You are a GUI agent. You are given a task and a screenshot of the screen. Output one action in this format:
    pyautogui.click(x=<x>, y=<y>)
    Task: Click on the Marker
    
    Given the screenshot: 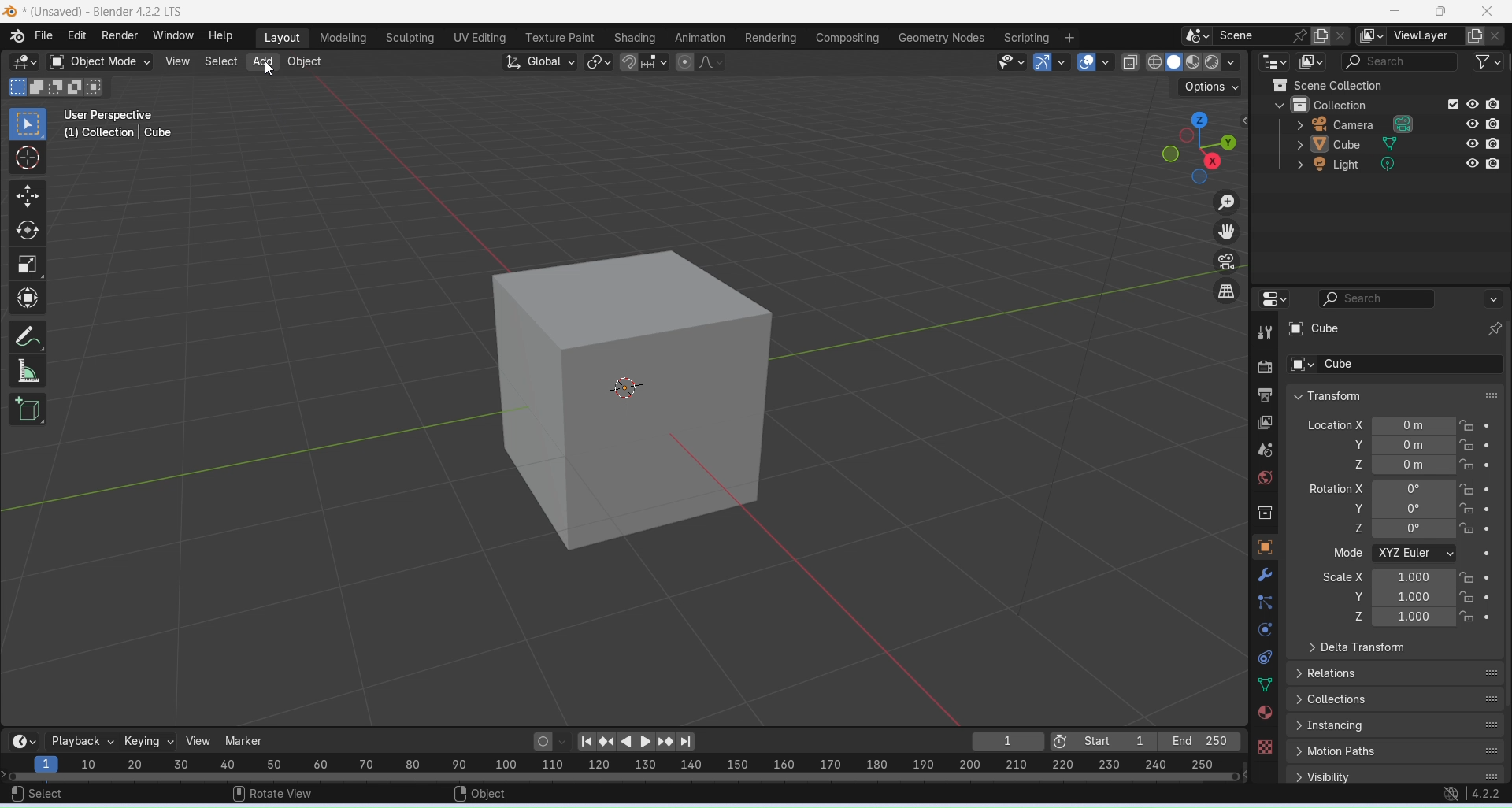 What is the action you would take?
    pyautogui.click(x=244, y=741)
    